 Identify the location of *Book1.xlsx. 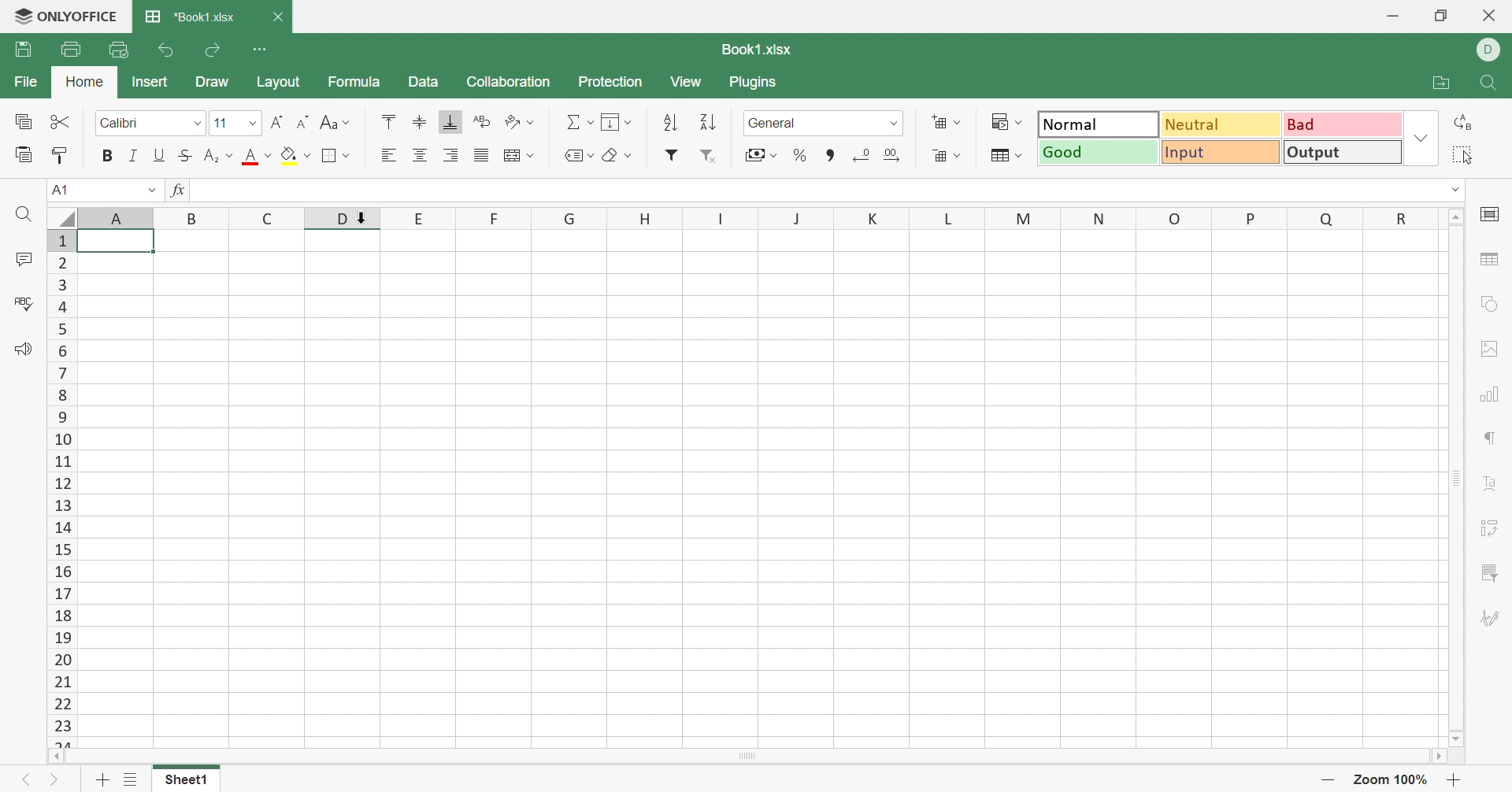
(190, 13).